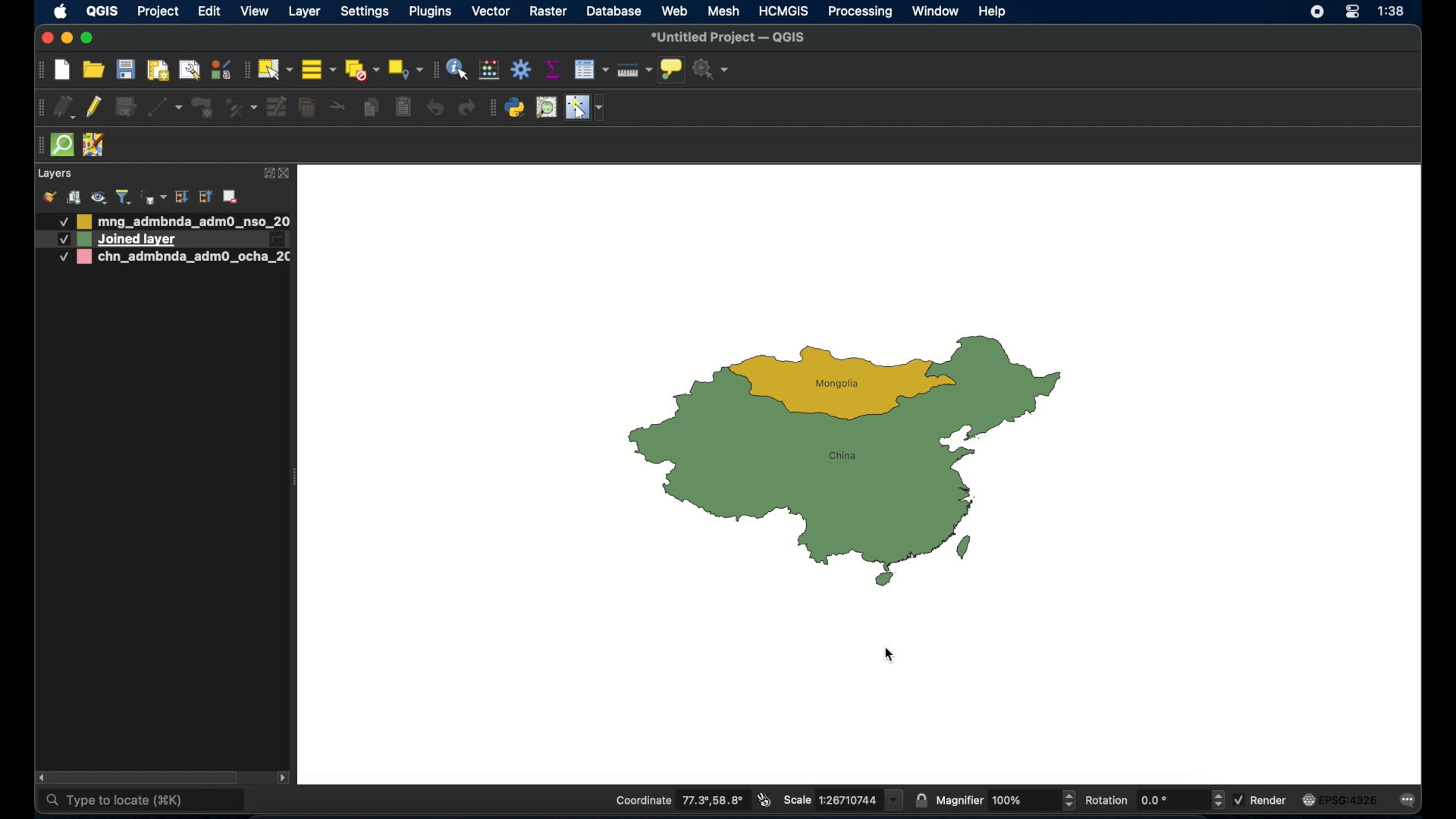 This screenshot has height=819, width=1456. I want to click on cursor, so click(894, 655).